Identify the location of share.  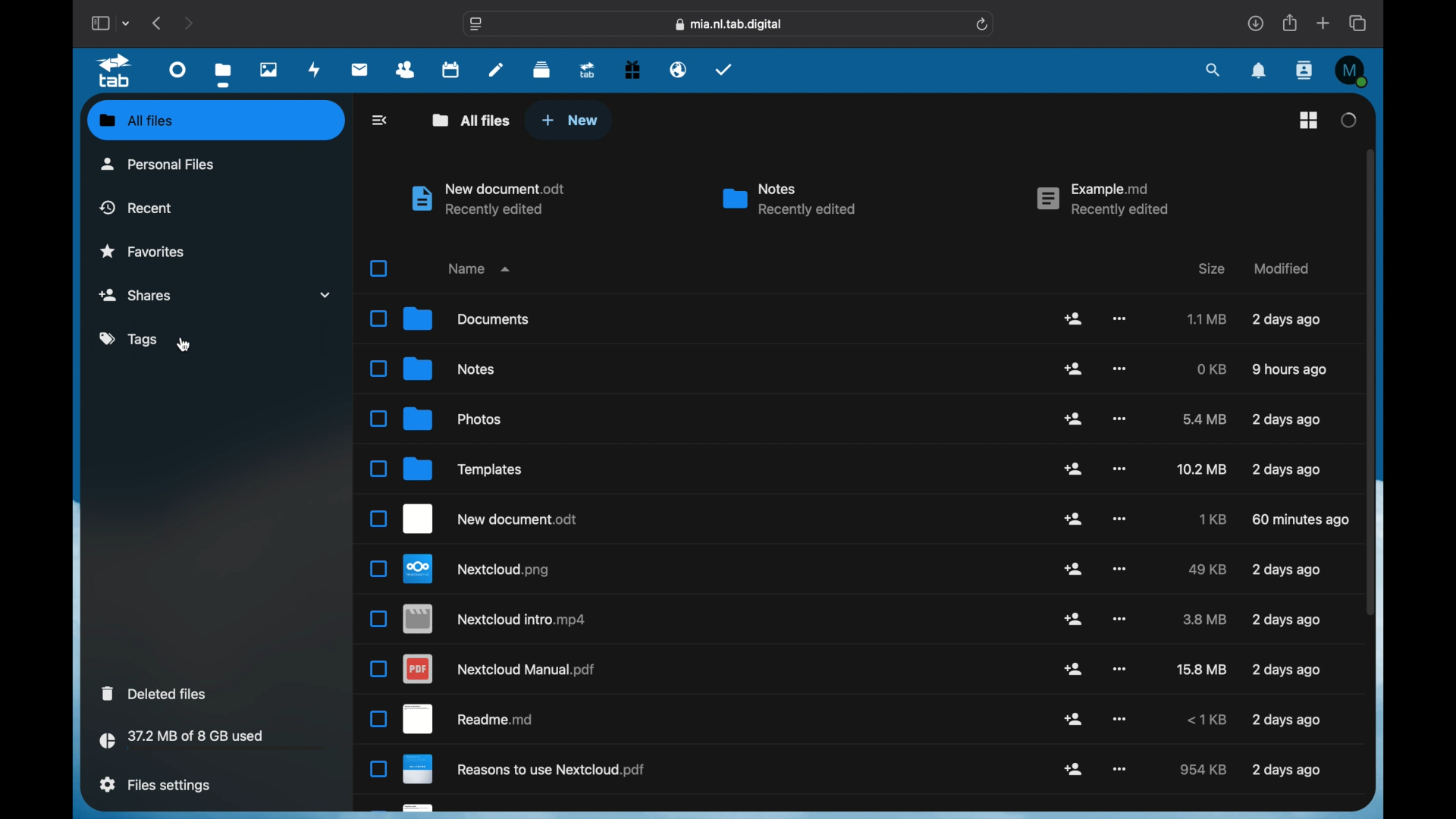
(1075, 619).